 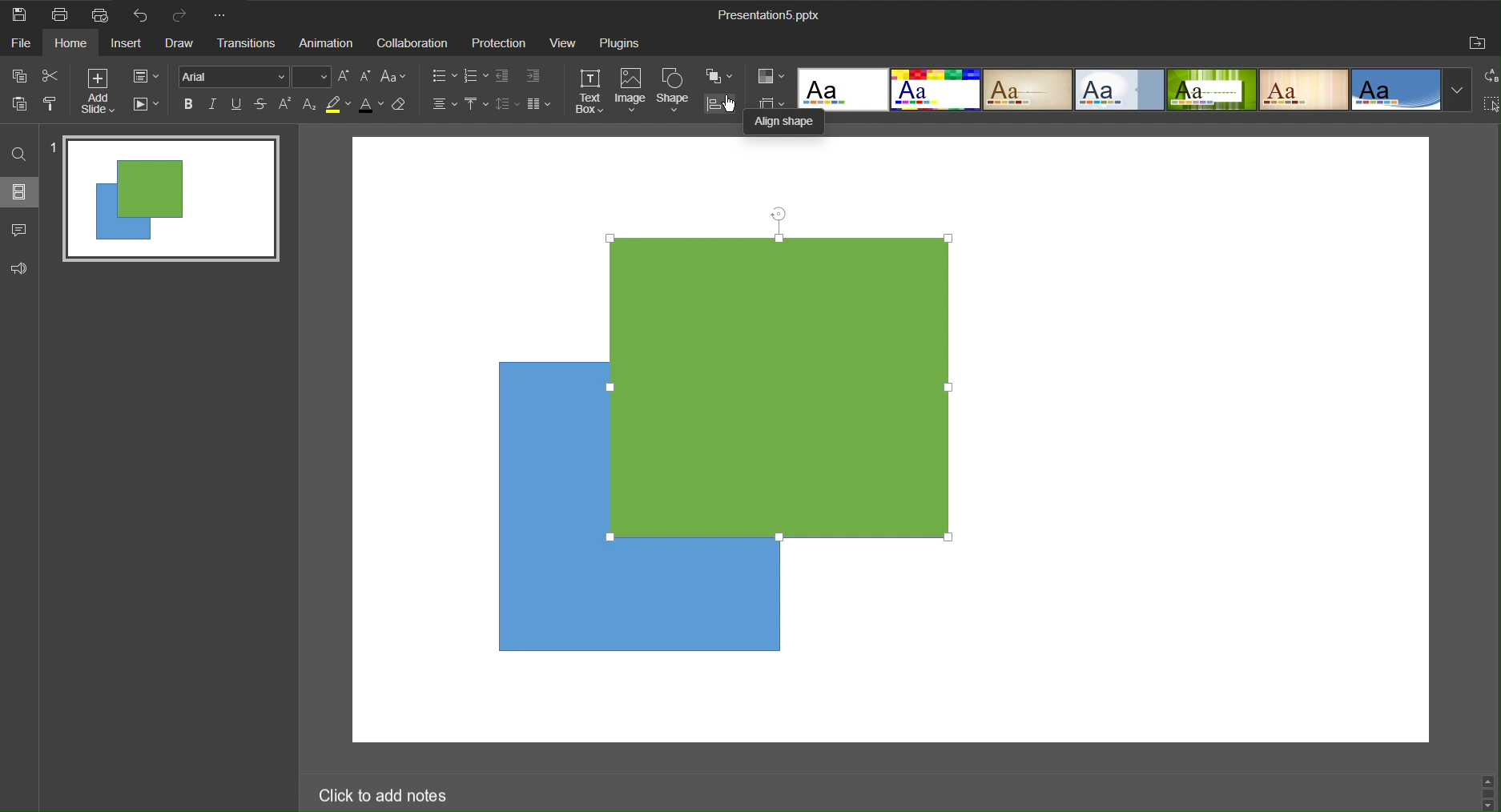 I want to click on Bullet list, so click(x=441, y=76).